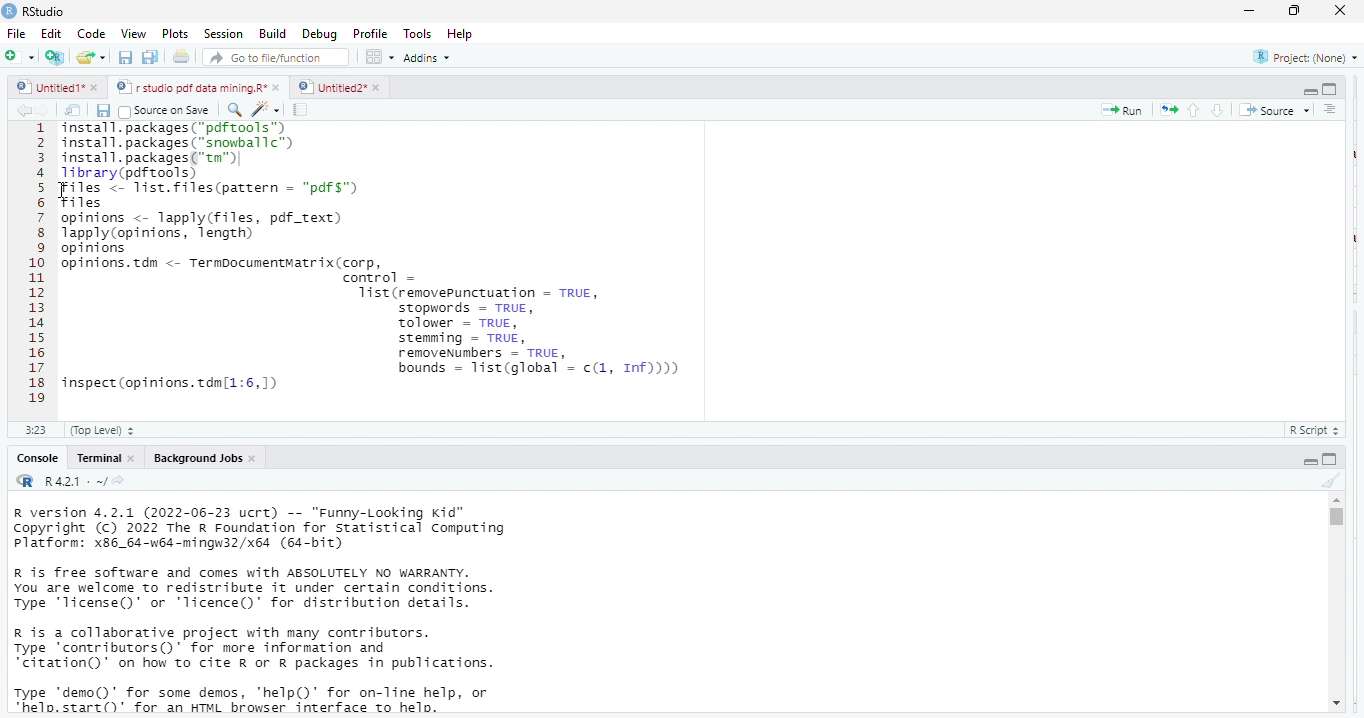 The height and width of the screenshot is (718, 1364). What do you see at coordinates (104, 109) in the screenshot?
I see `save current` at bounding box center [104, 109].